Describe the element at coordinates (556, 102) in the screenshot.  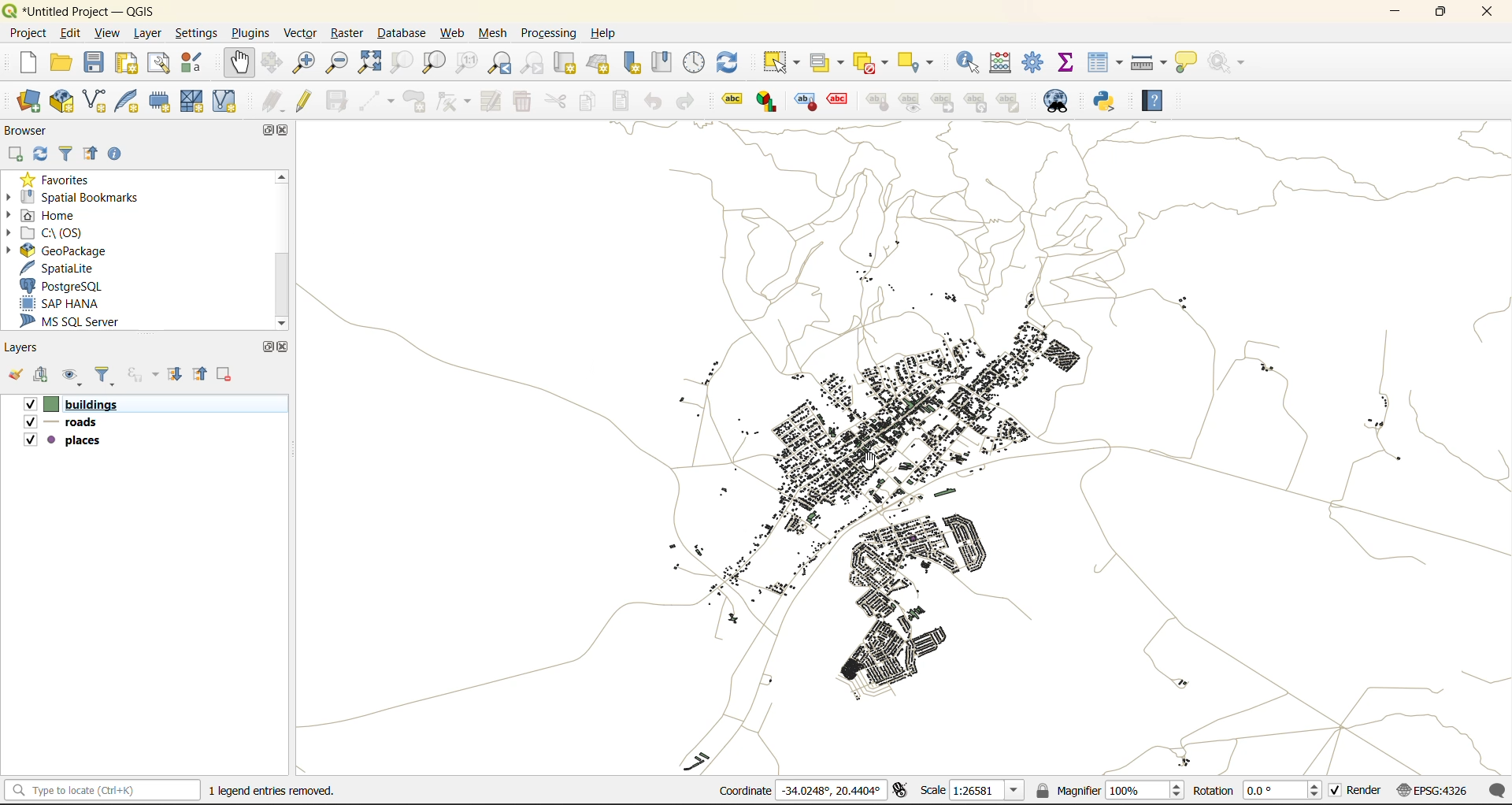
I see `cut` at that location.